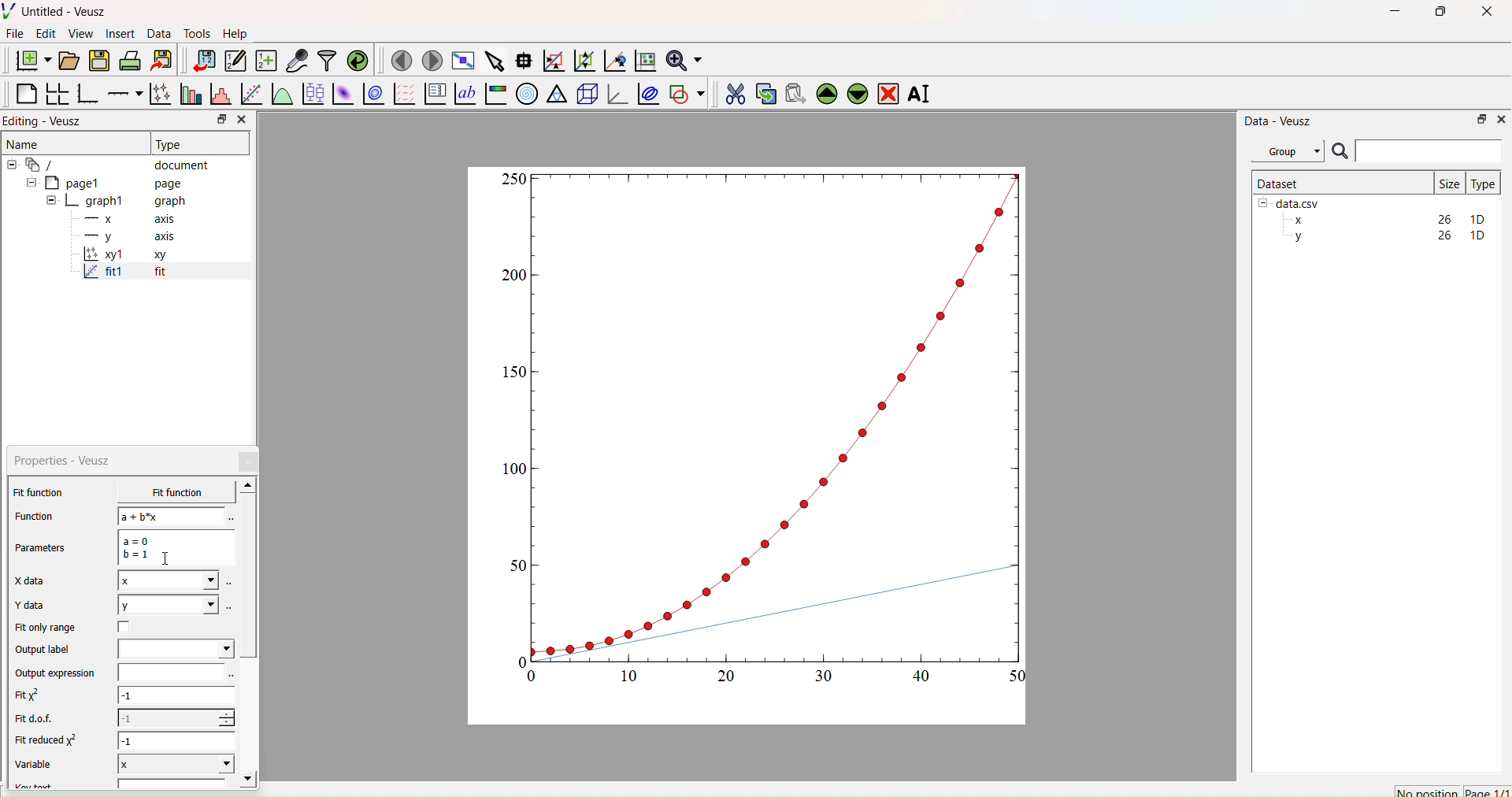 This screenshot has height=797, width=1512. Describe the element at coordinates (189, 95) in the screenshot. I see `Plot bar charts` at that location.